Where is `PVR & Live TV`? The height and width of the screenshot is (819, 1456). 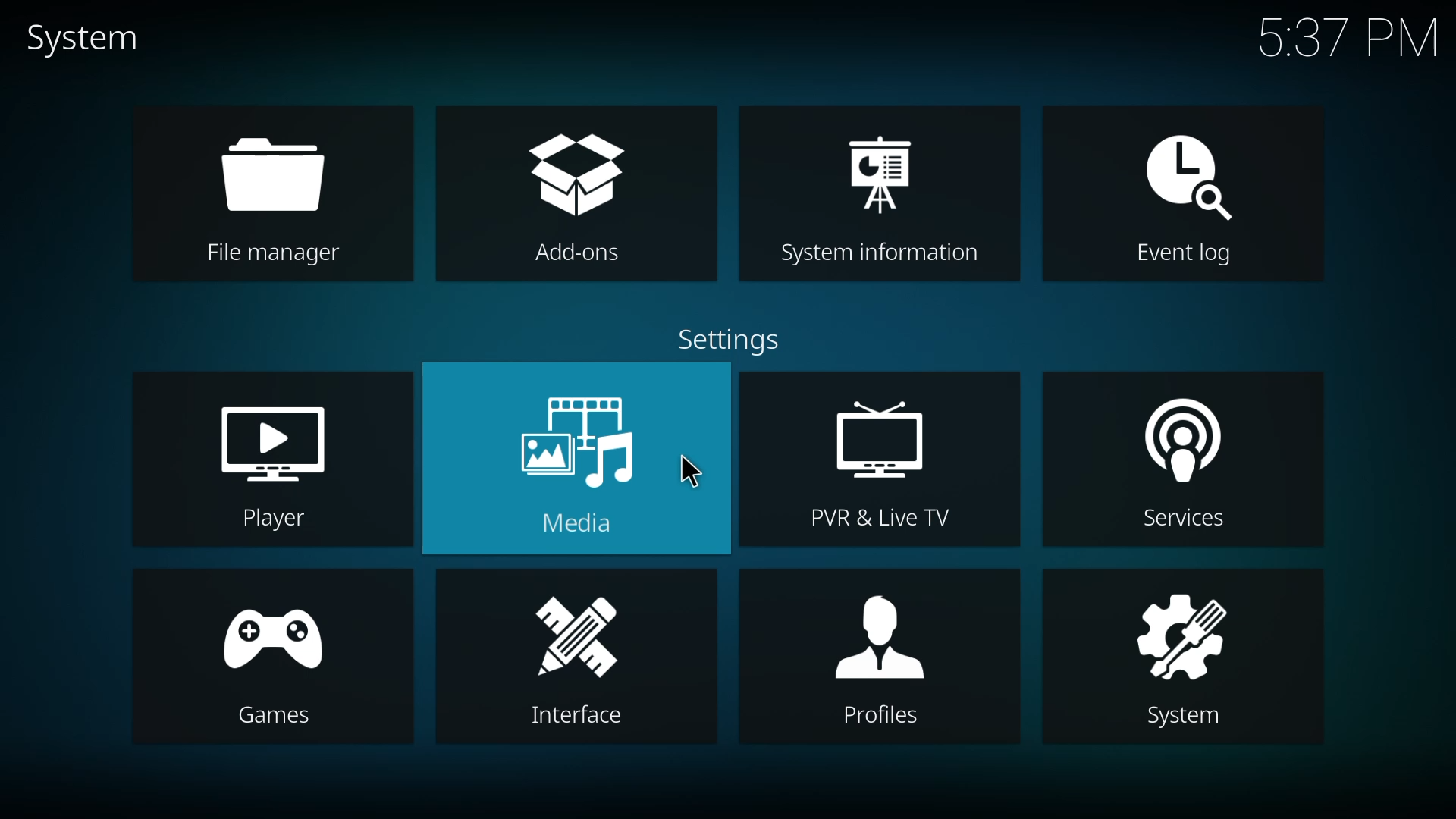 PVR & Live TV is located at coordinates (875, 519).